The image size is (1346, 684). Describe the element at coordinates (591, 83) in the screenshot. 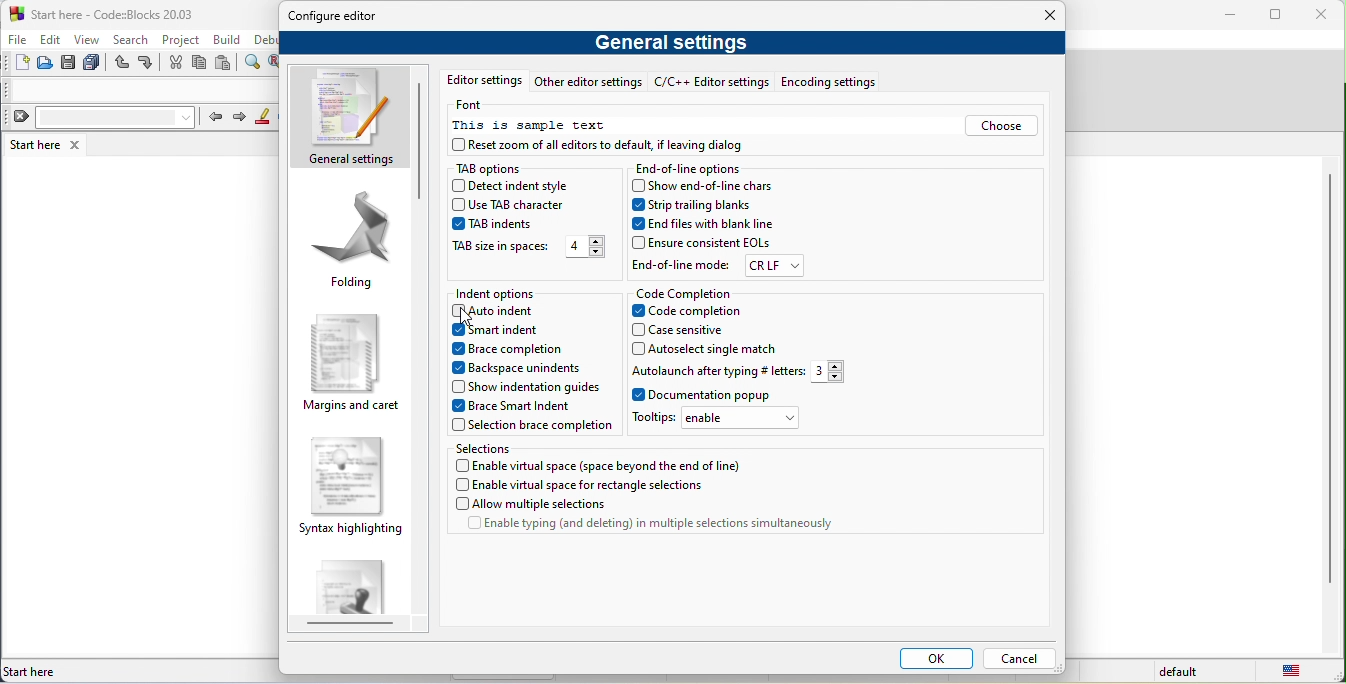

I see `other editor settings` at that location.